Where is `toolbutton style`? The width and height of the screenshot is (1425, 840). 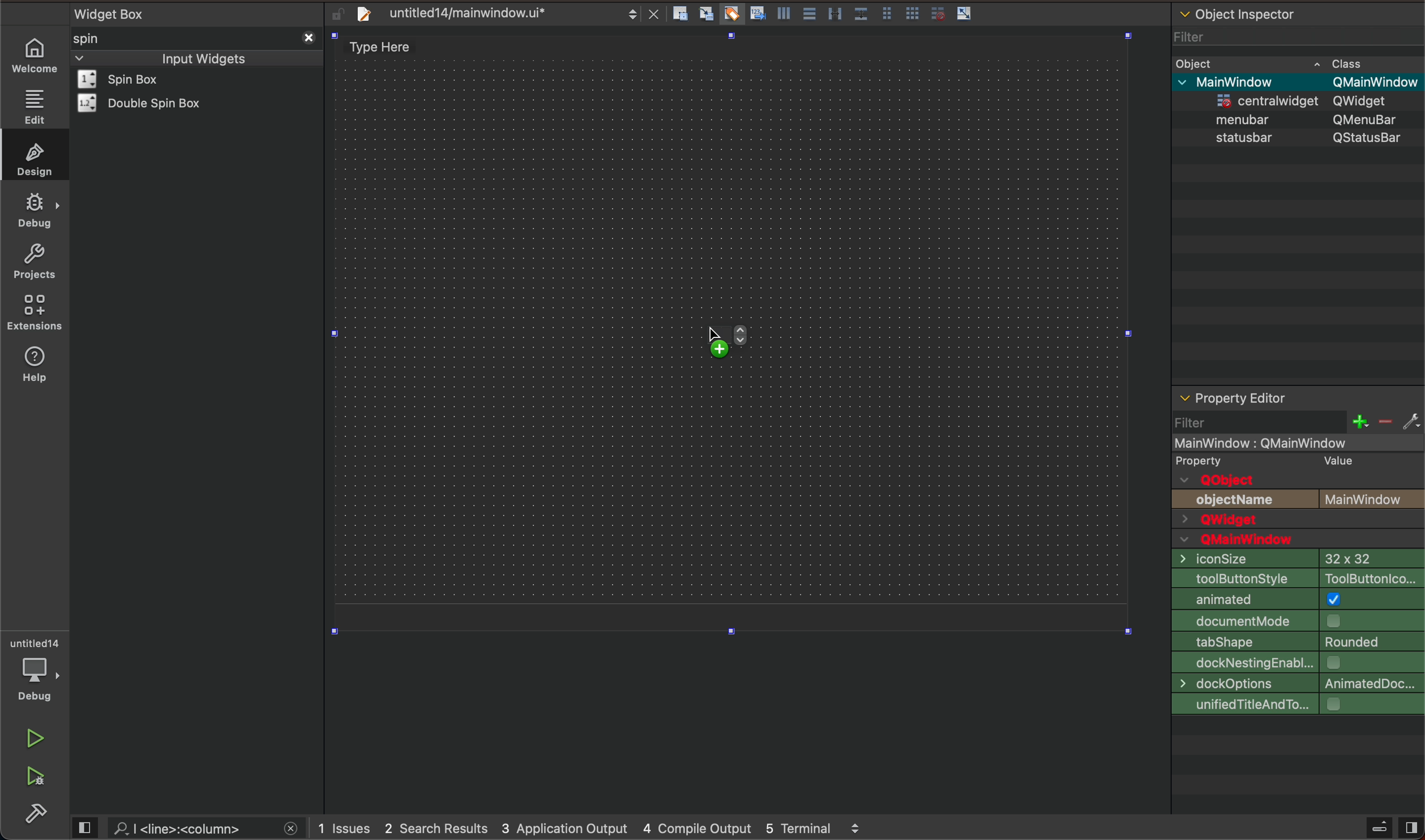
toolbutton style is located at coordinates (1297, 577).